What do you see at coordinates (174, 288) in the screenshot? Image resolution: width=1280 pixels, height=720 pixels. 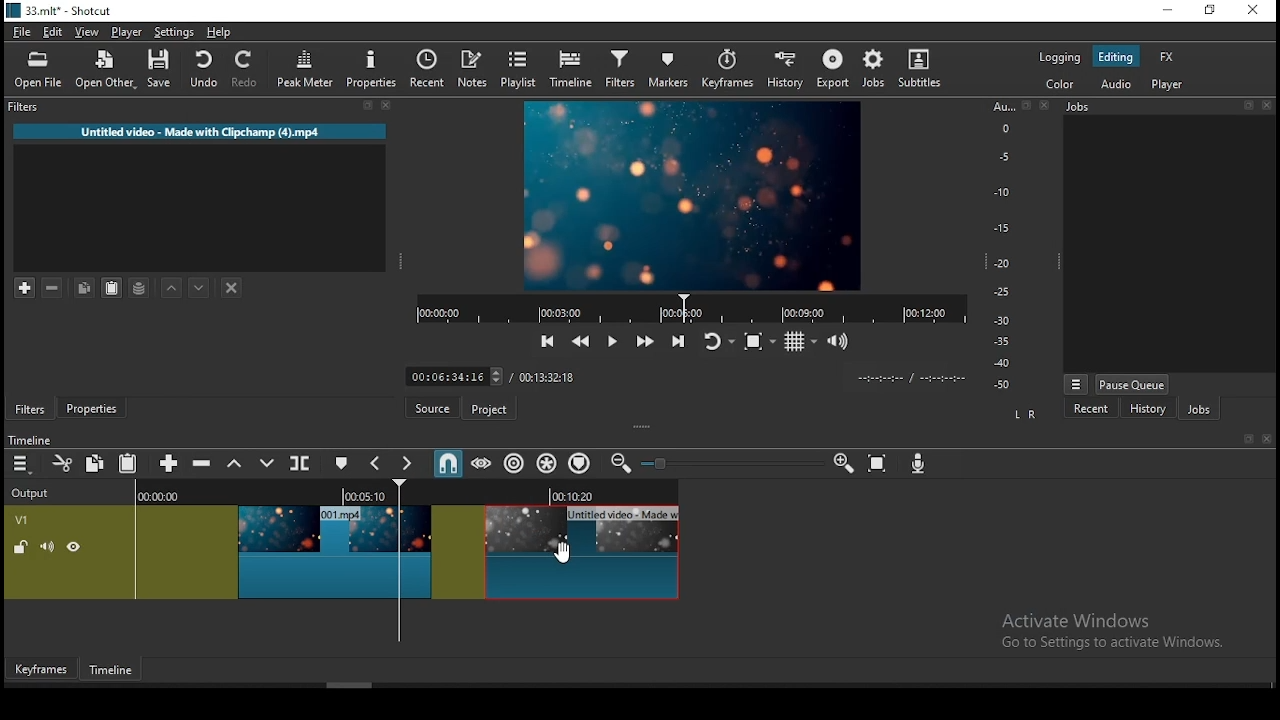 I see `move filter up` at bounding box center [174, 288].